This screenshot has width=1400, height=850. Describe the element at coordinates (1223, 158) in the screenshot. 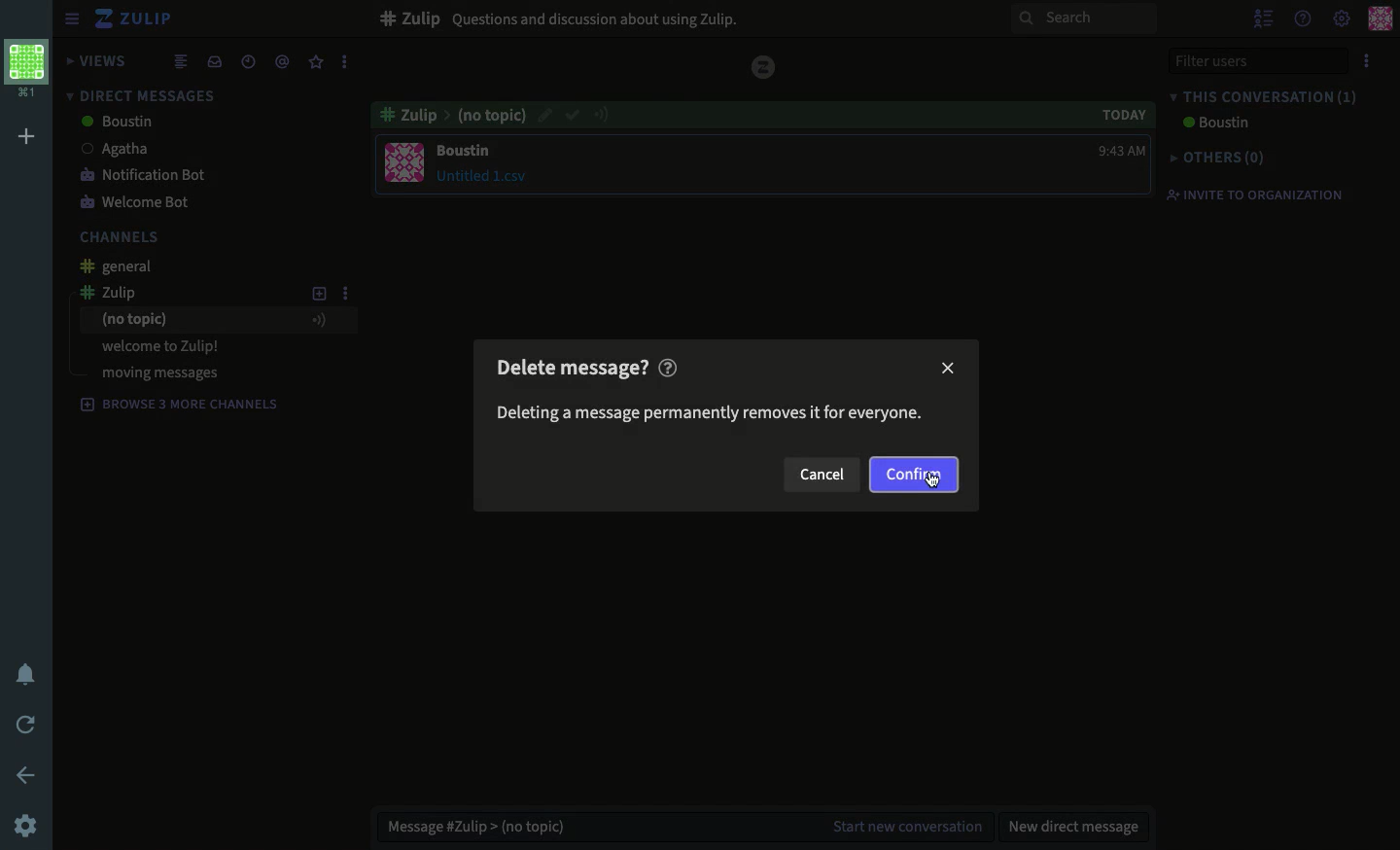

I see `Others` at that location.